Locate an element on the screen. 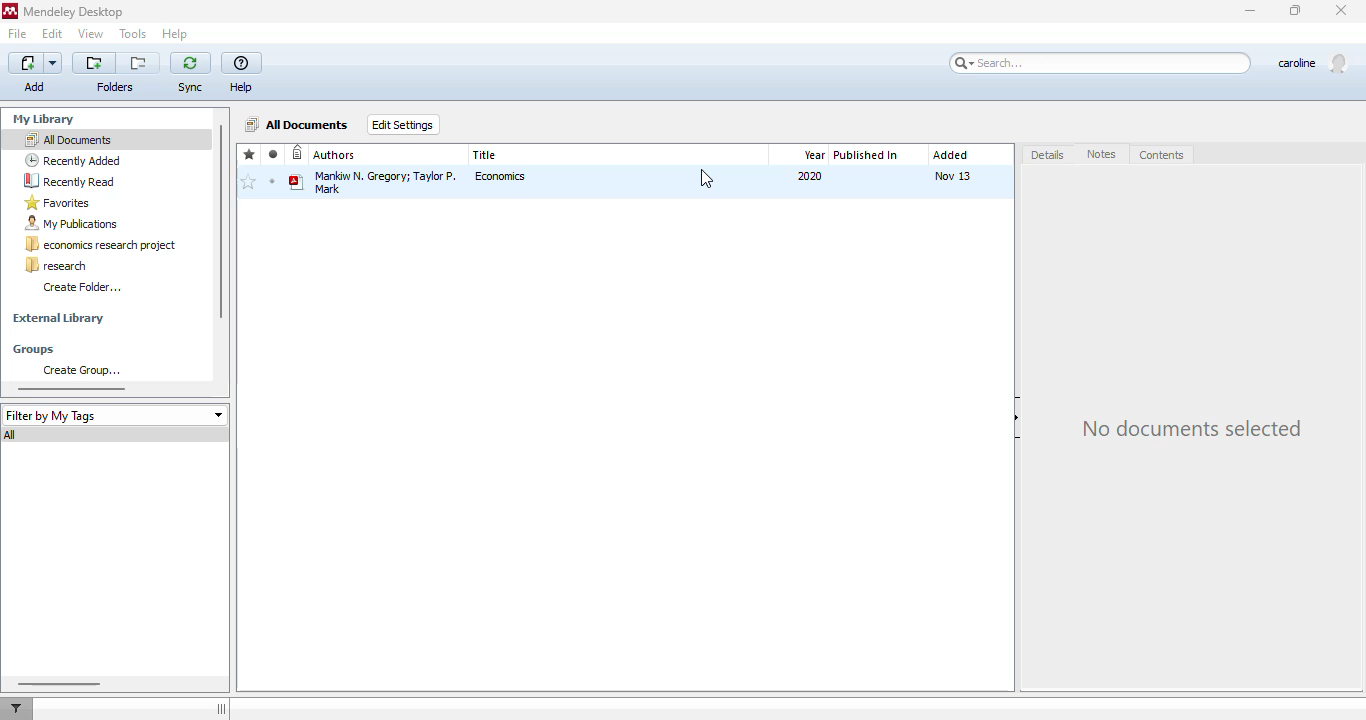  horizontal scroll bar is located at coordinates (72, 388).